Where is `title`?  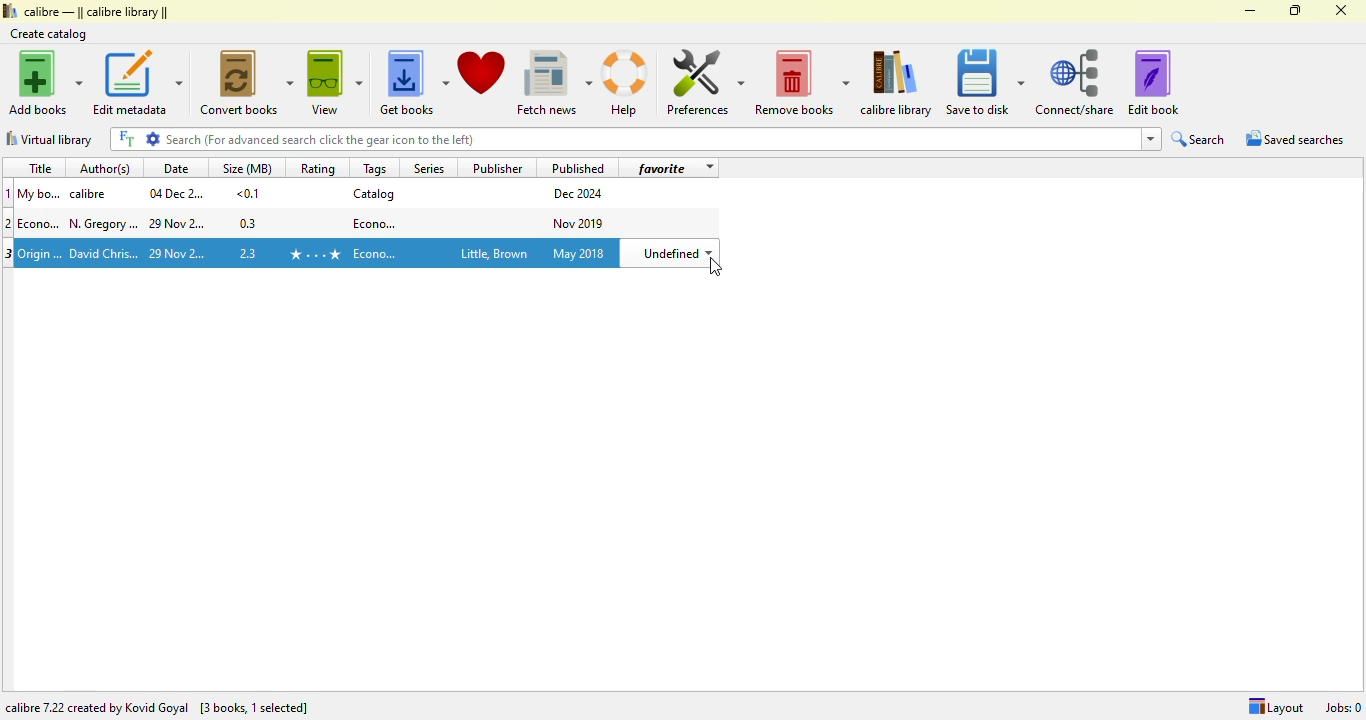 title is located at coordinates (39, 168).